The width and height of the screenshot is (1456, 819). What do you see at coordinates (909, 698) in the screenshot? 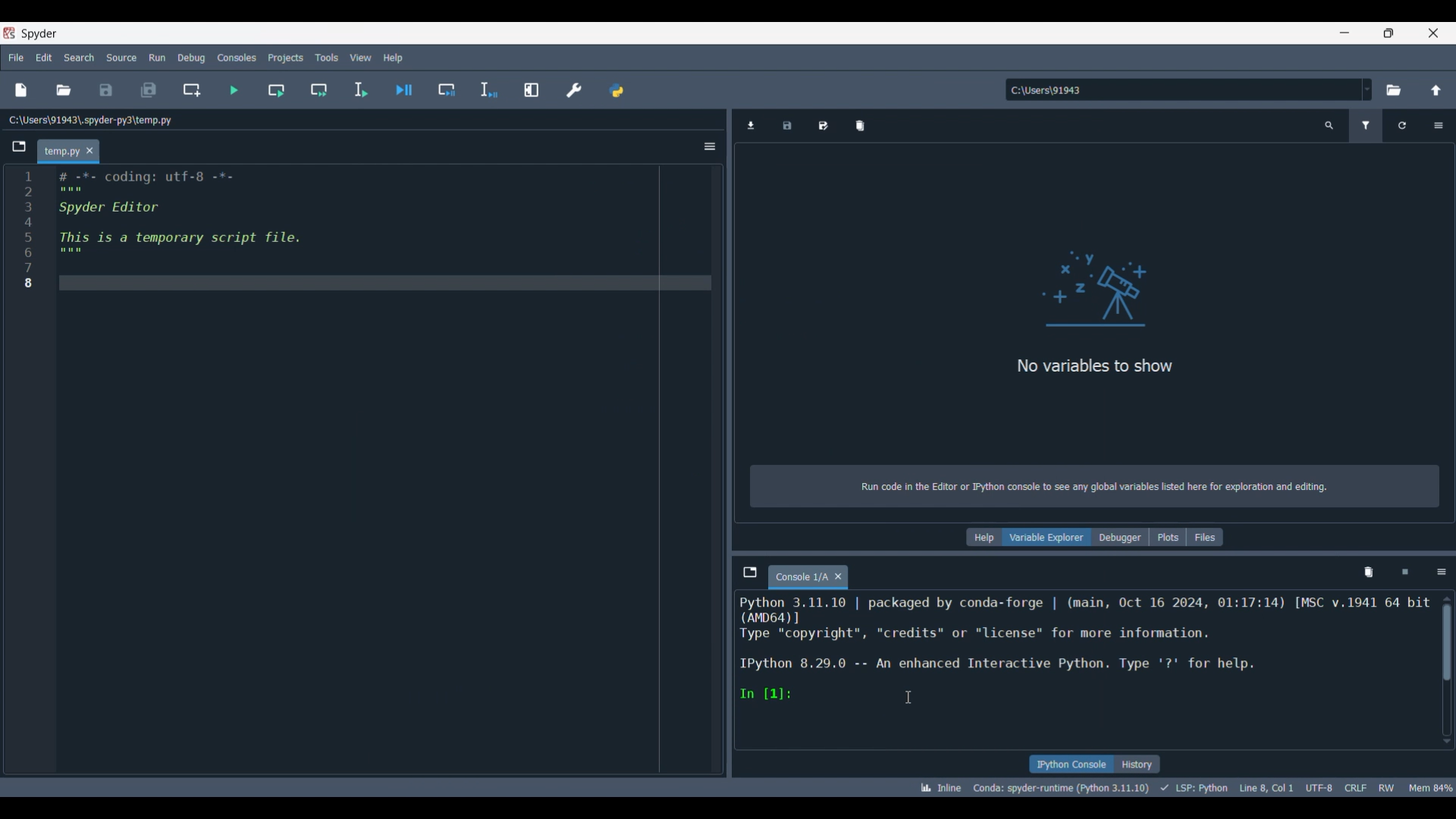
I see `Cursor ` at bounding box center [909, 698].